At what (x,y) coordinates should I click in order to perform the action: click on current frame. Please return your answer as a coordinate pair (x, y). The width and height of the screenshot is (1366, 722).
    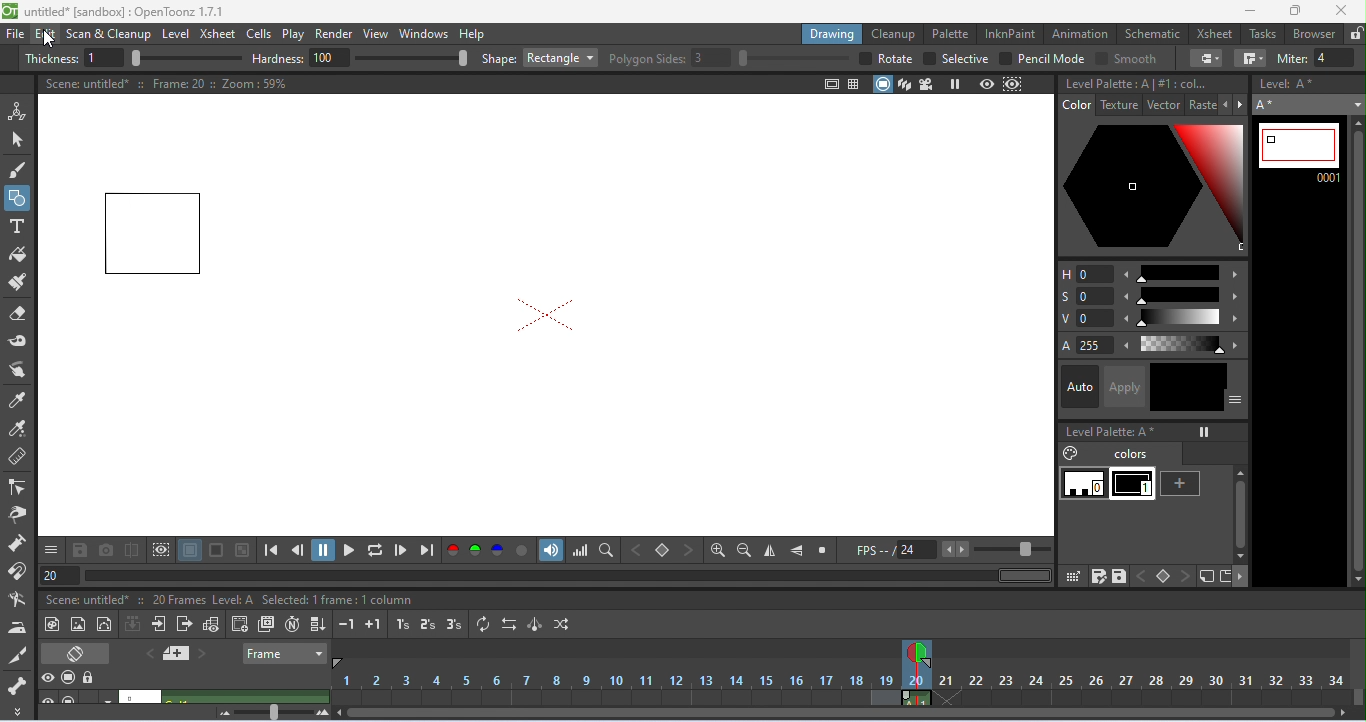
    Looking at the image, I should click on (1300, 152).